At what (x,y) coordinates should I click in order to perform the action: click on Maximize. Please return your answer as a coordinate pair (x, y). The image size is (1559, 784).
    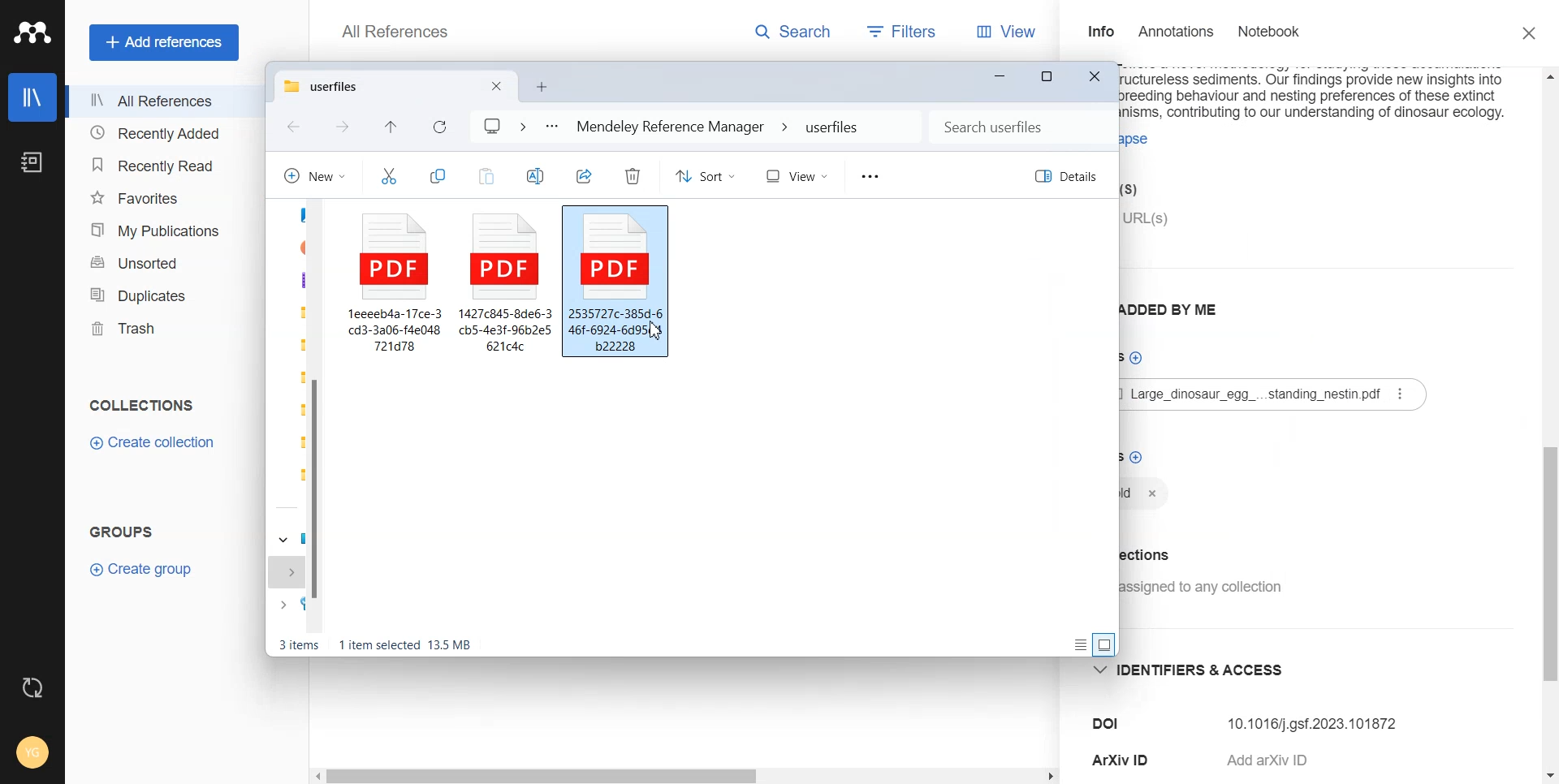
    Looking at the image, I should click on (1047, 75).